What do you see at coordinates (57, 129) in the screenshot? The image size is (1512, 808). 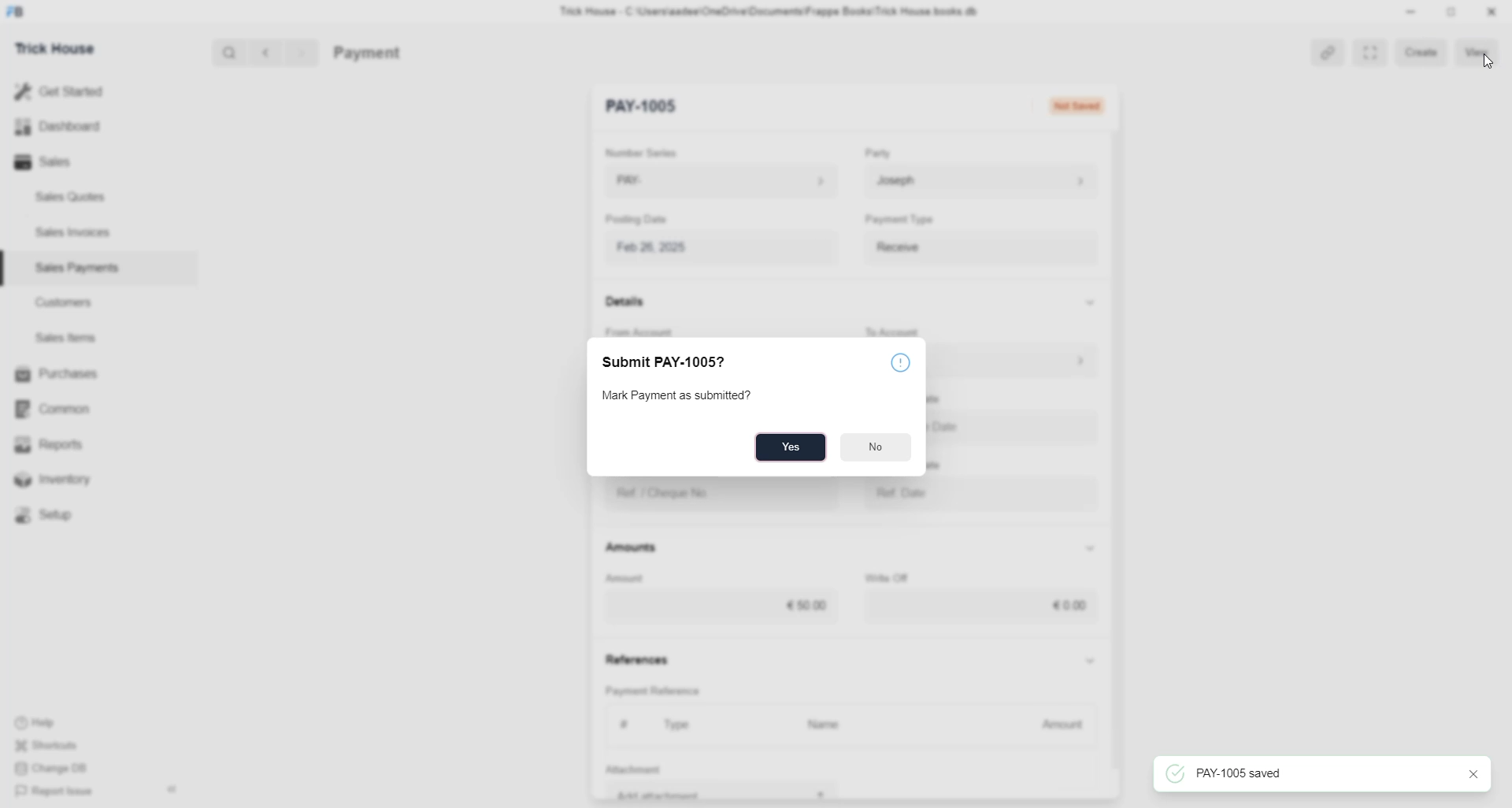 I see `Dashboard` at bounding box center [57, 129].